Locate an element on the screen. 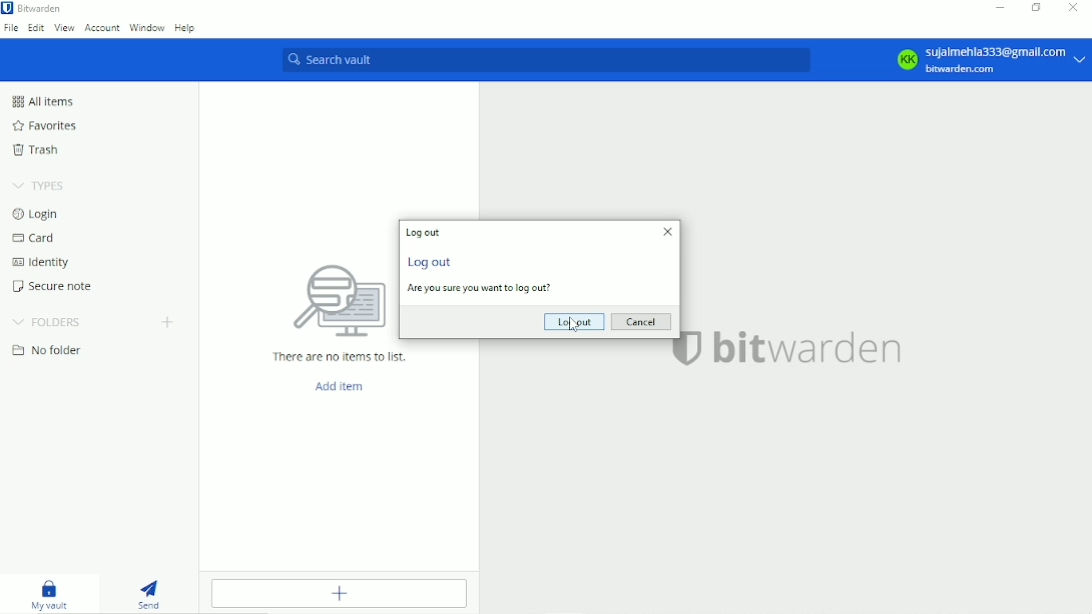  logo is located at coordinates (690, 350).